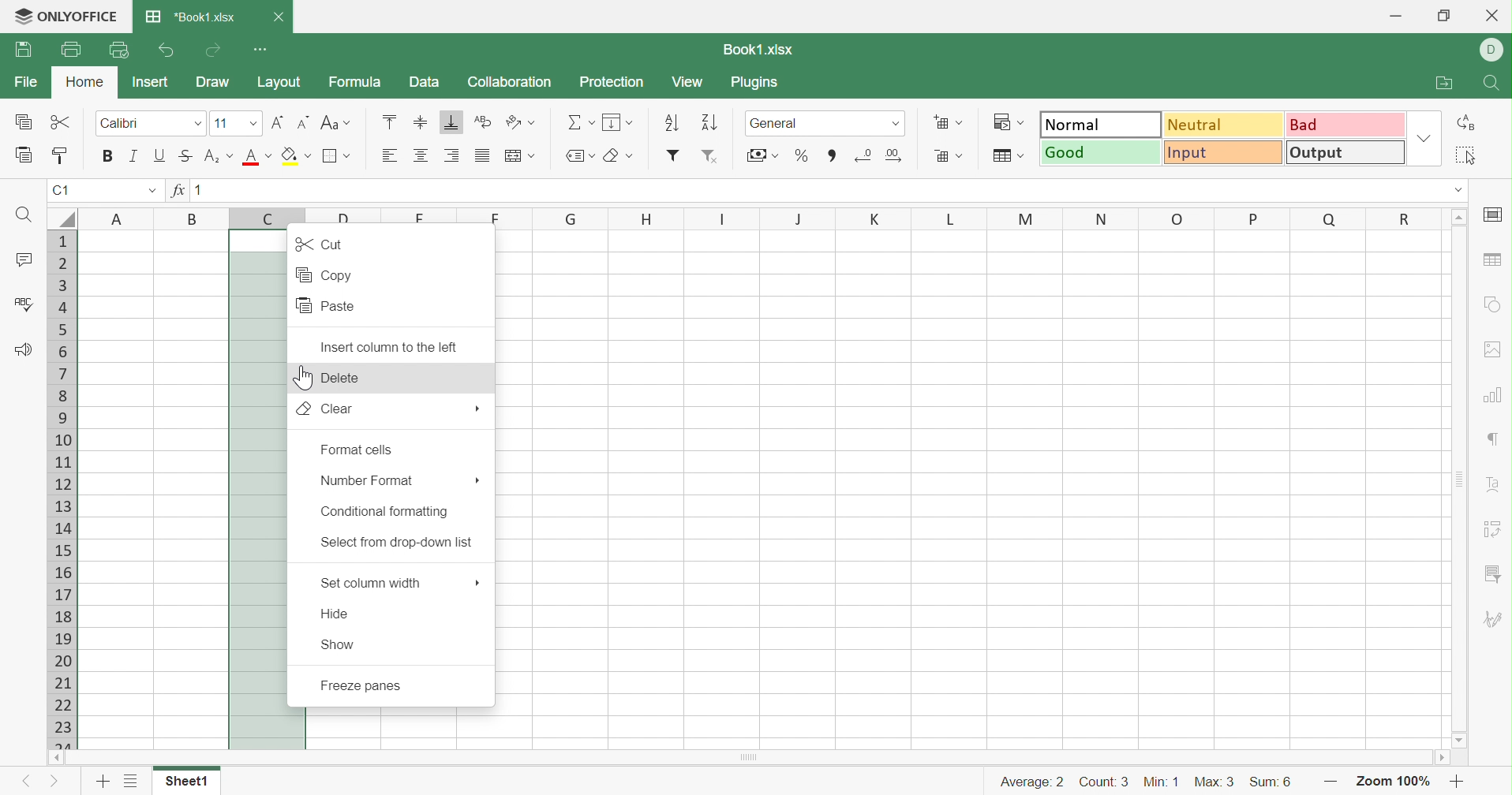 The width and height of the screenshot is (1512, 795). Describe the element at coordinates (132, 155) in the screenshot. I see `Italic` at that location.